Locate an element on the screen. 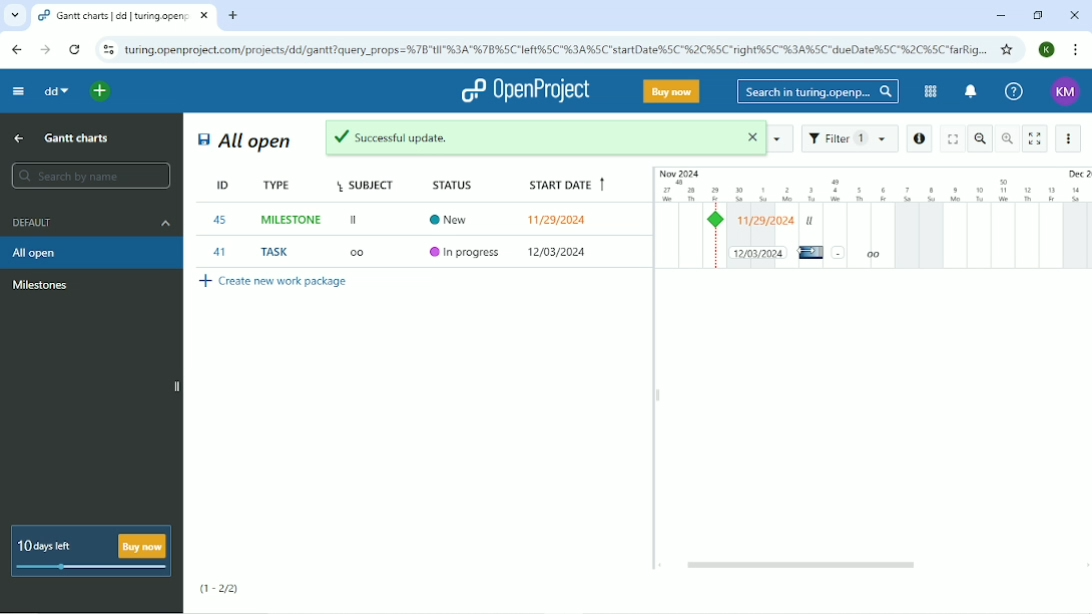 The height and width of the screenshot is (614, 1092). MILESTONE is located at coordinates (293, 220).